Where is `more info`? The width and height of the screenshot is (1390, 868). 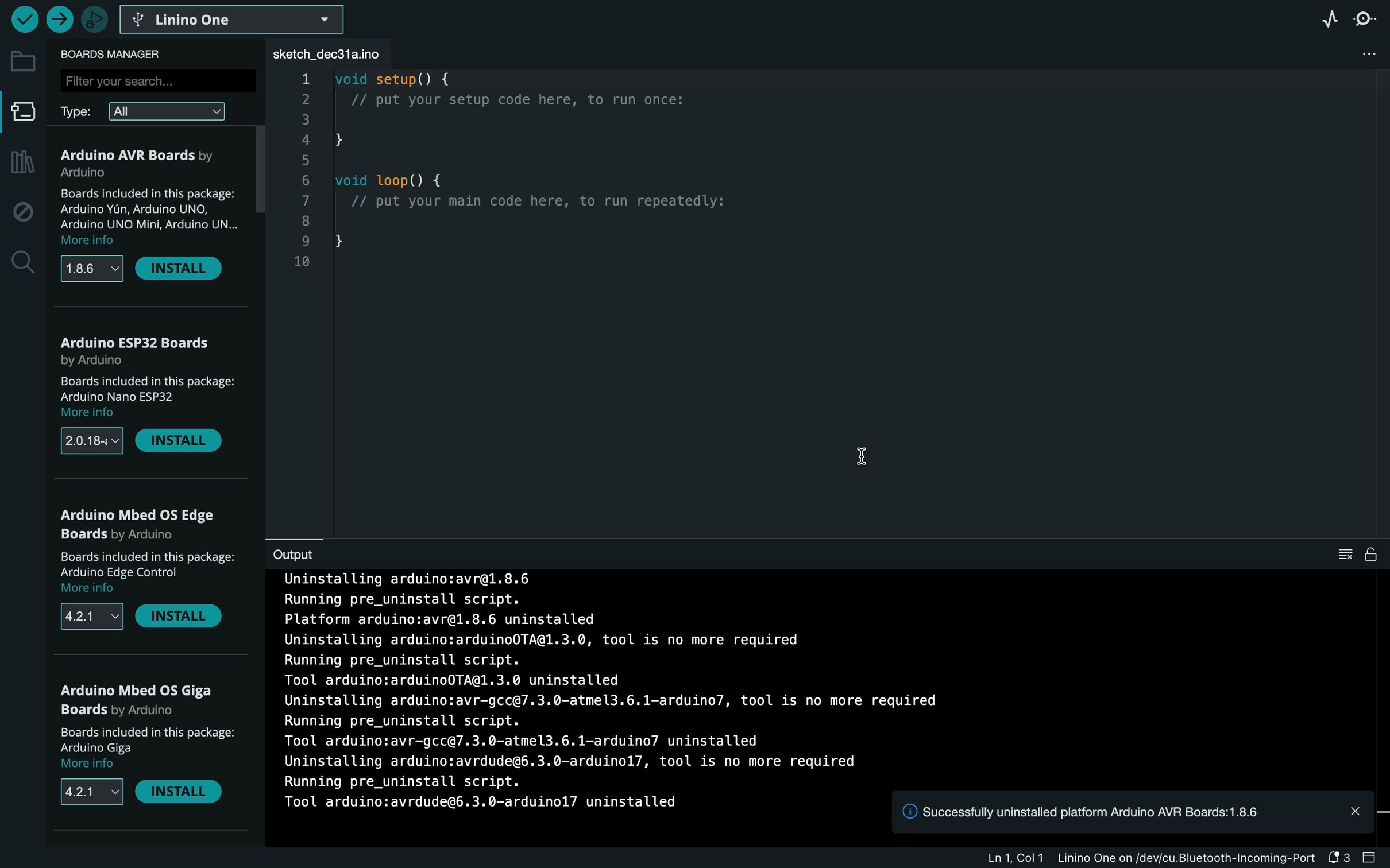 more info is located at coordinates (88, 591).